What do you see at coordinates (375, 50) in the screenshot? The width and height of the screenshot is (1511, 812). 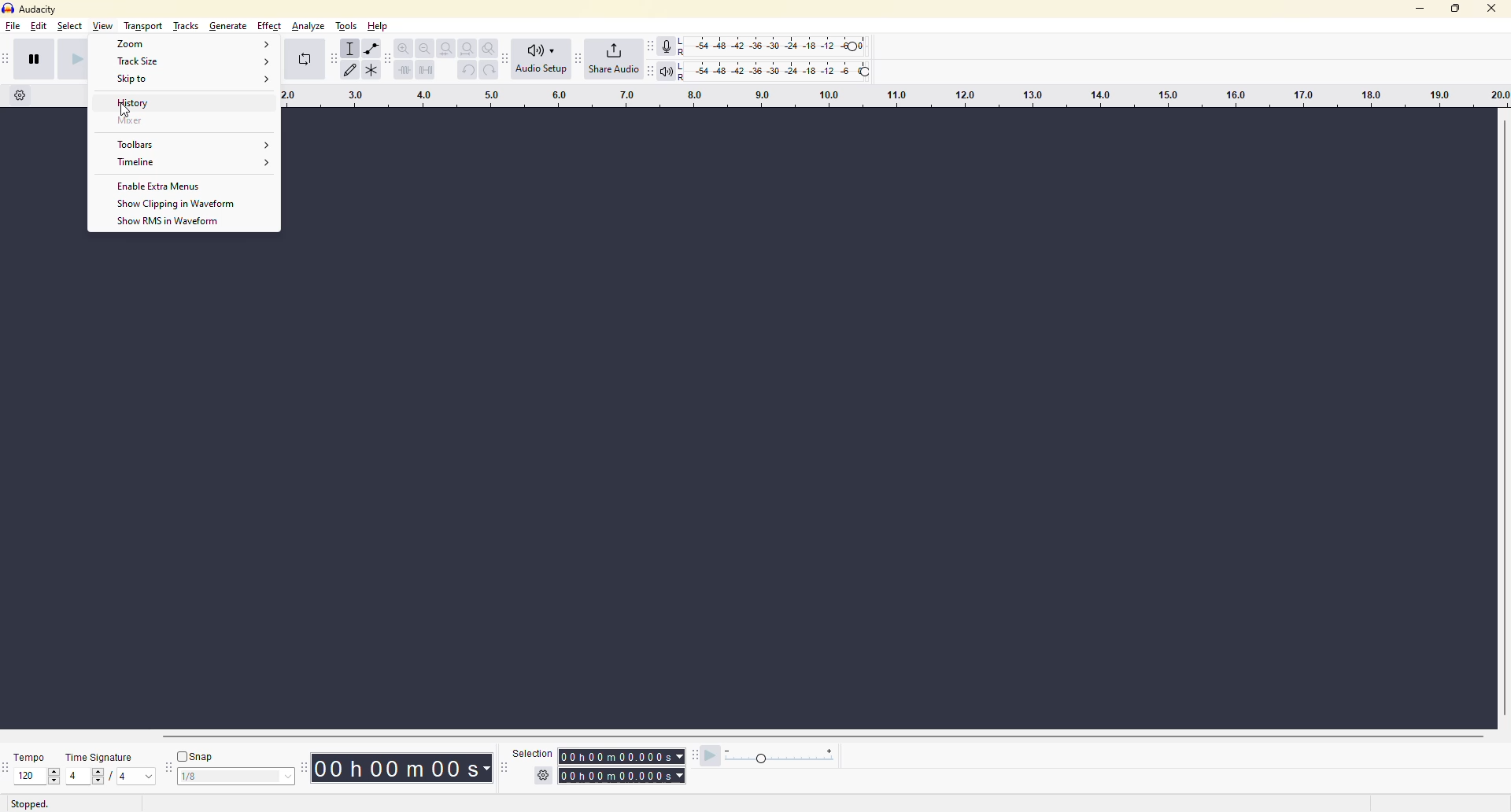 I see `envelop tool` at bounding box center [375, 50].